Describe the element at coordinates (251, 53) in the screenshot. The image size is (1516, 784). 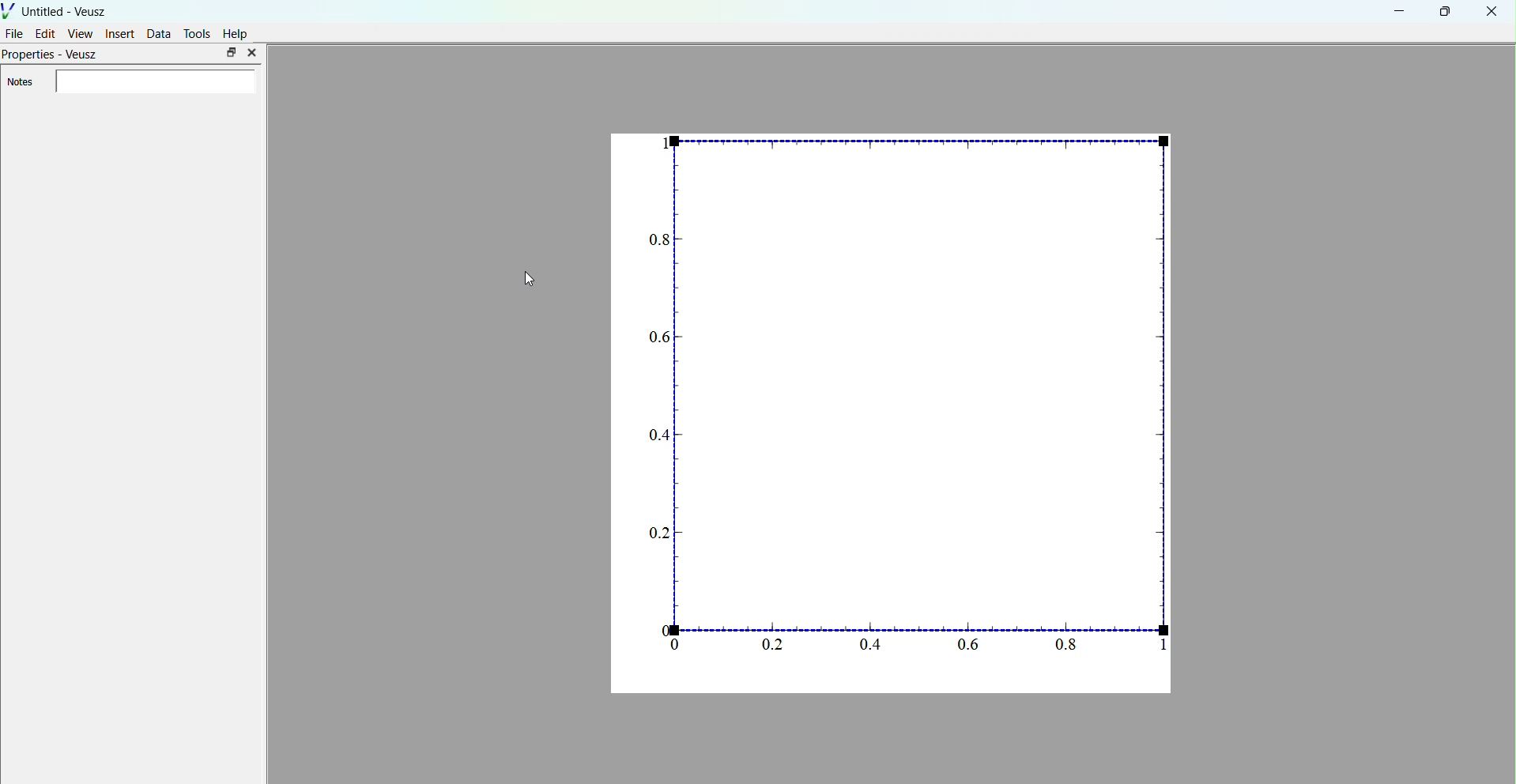
I see `close` at that location.